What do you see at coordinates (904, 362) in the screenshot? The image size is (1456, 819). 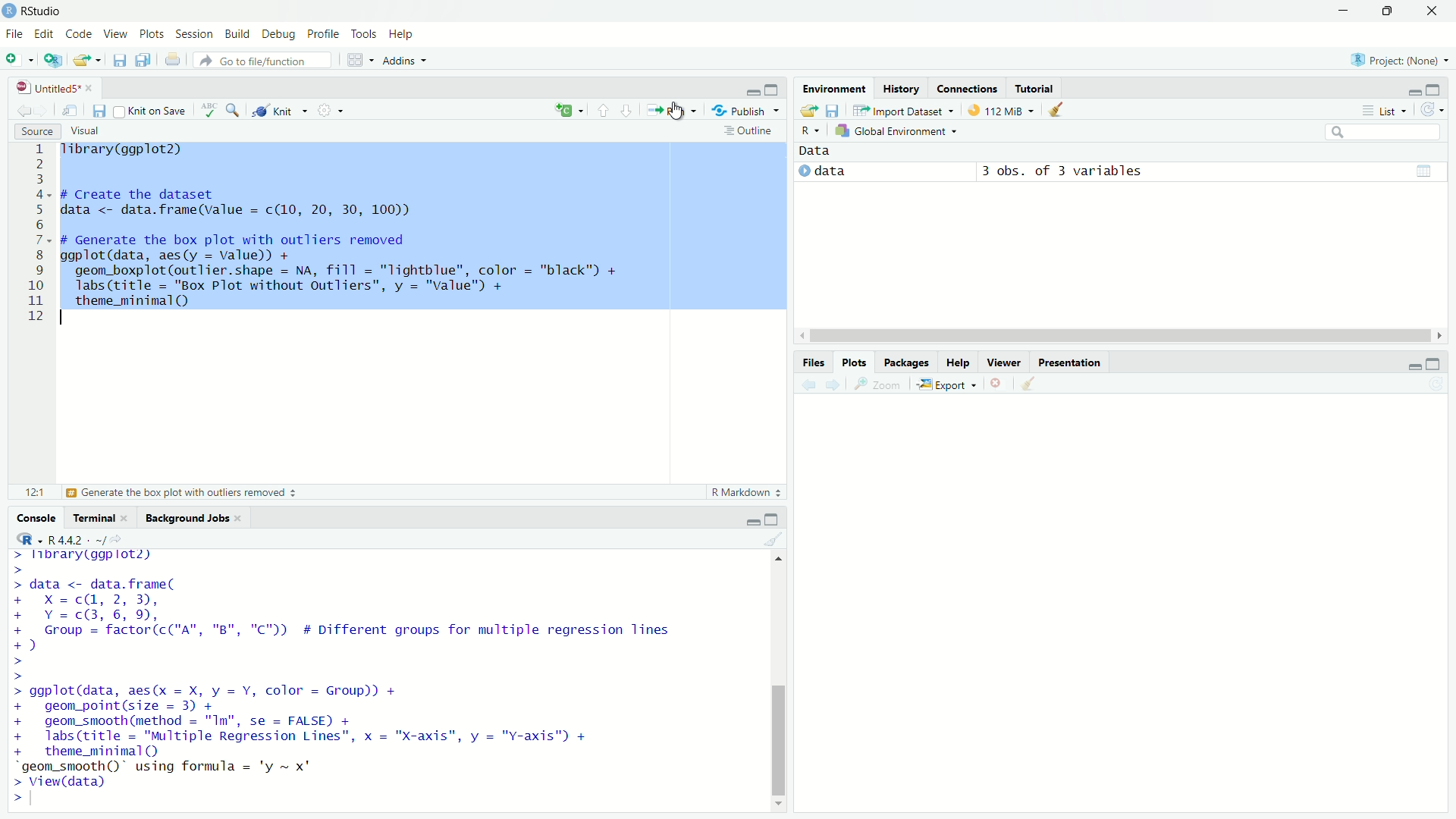 I see `Packages` at bounding box center [904, 362].